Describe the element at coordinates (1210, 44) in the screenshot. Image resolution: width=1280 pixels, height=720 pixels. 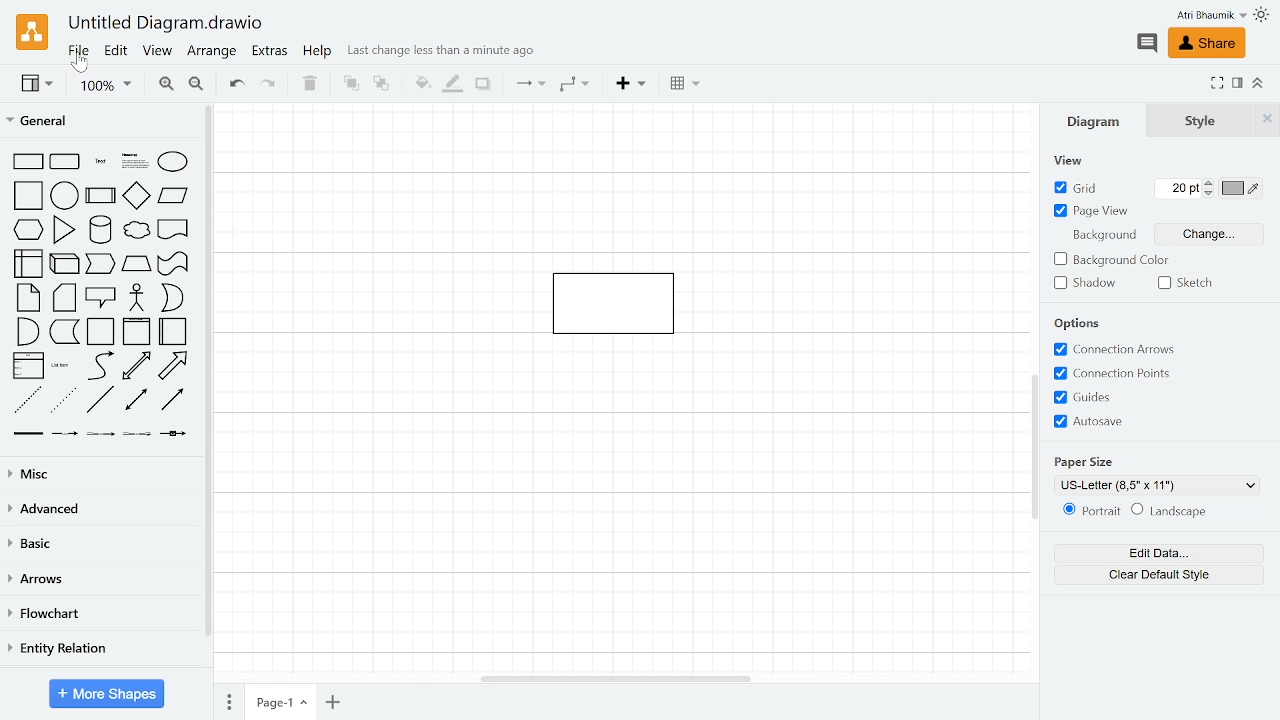
I see `Share` at that location.